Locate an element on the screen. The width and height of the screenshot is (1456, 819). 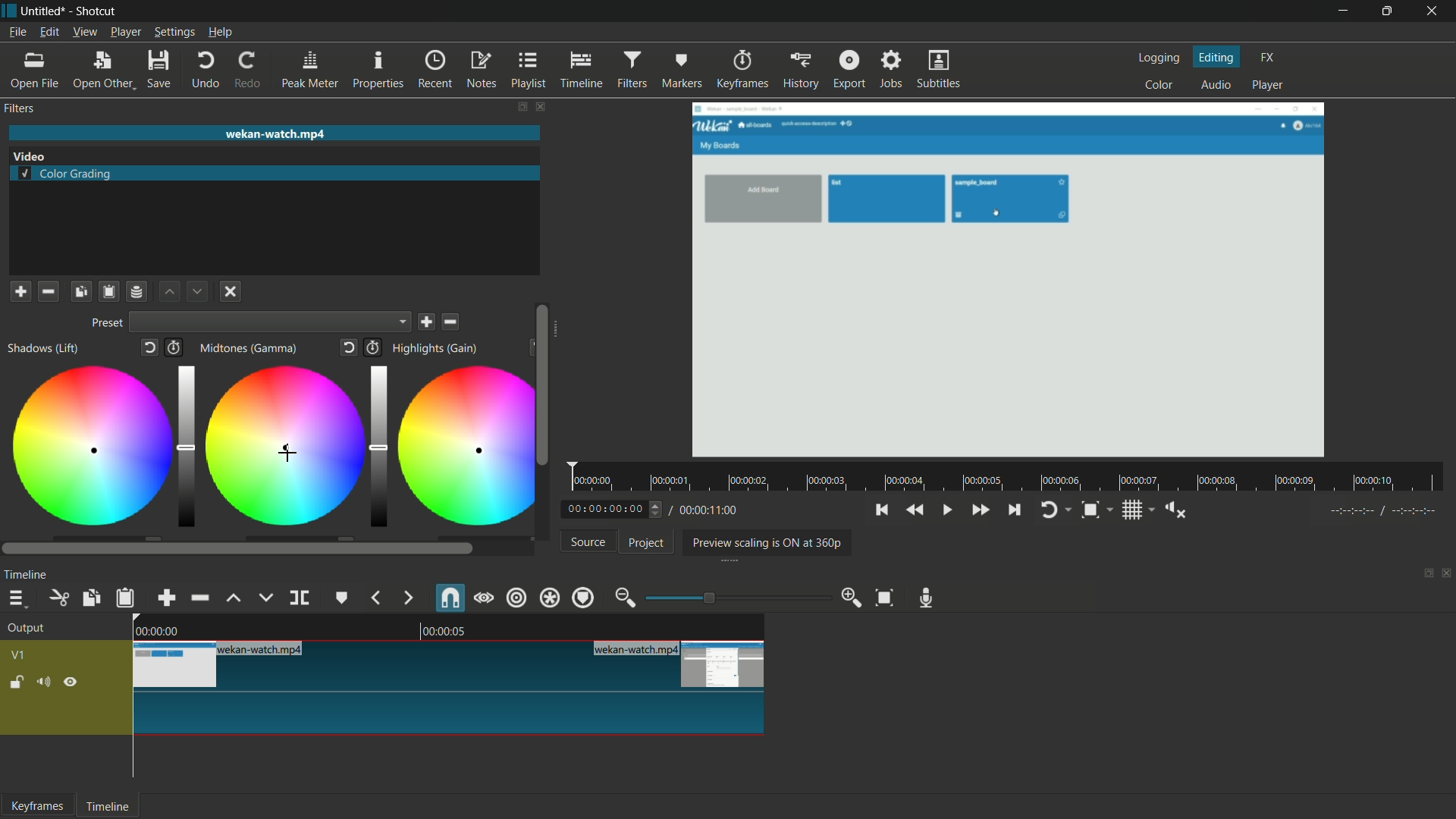
color adjustment is located at coordinates (283, 444).